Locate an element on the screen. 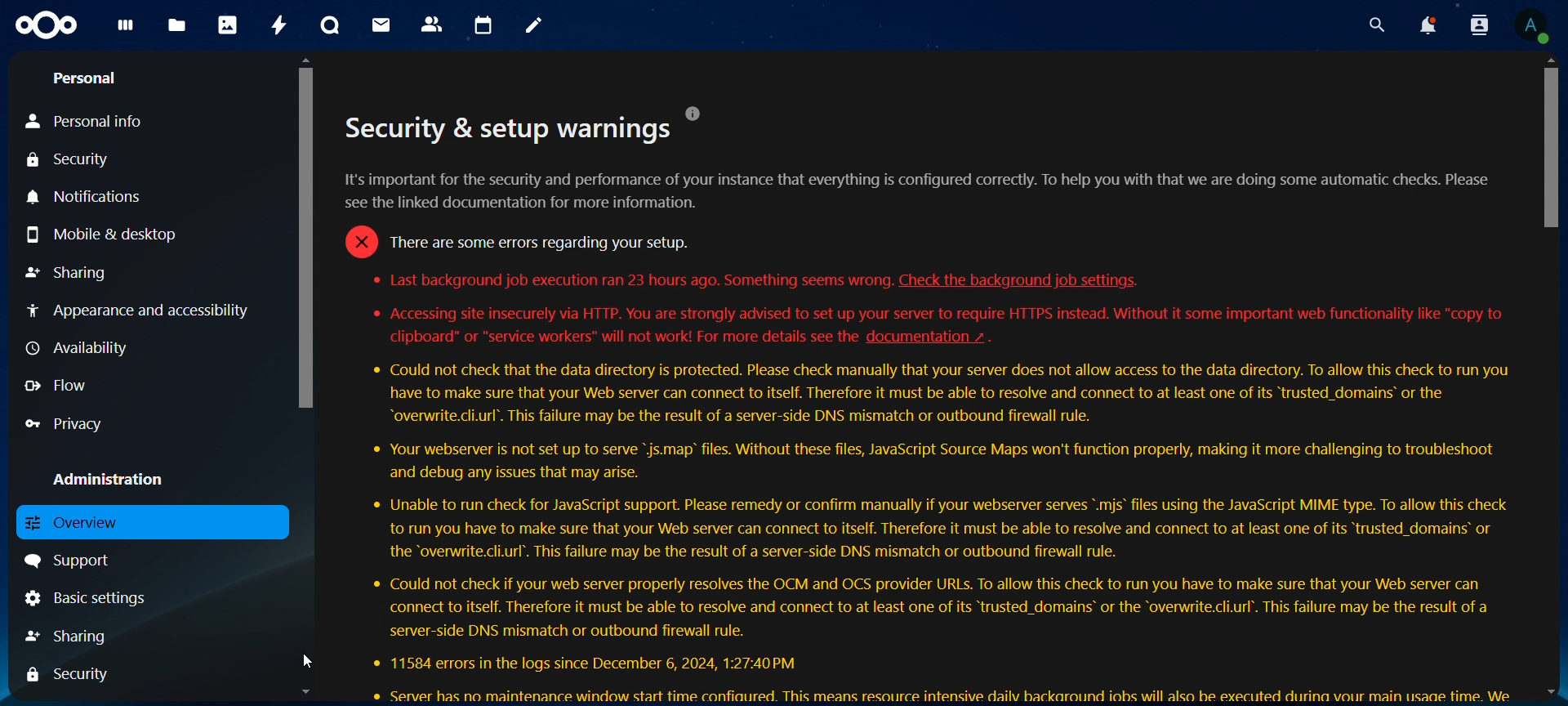 Image resolution: width=1568 pixels, height=706 pixels. photos is located at coordinates (227, 25).